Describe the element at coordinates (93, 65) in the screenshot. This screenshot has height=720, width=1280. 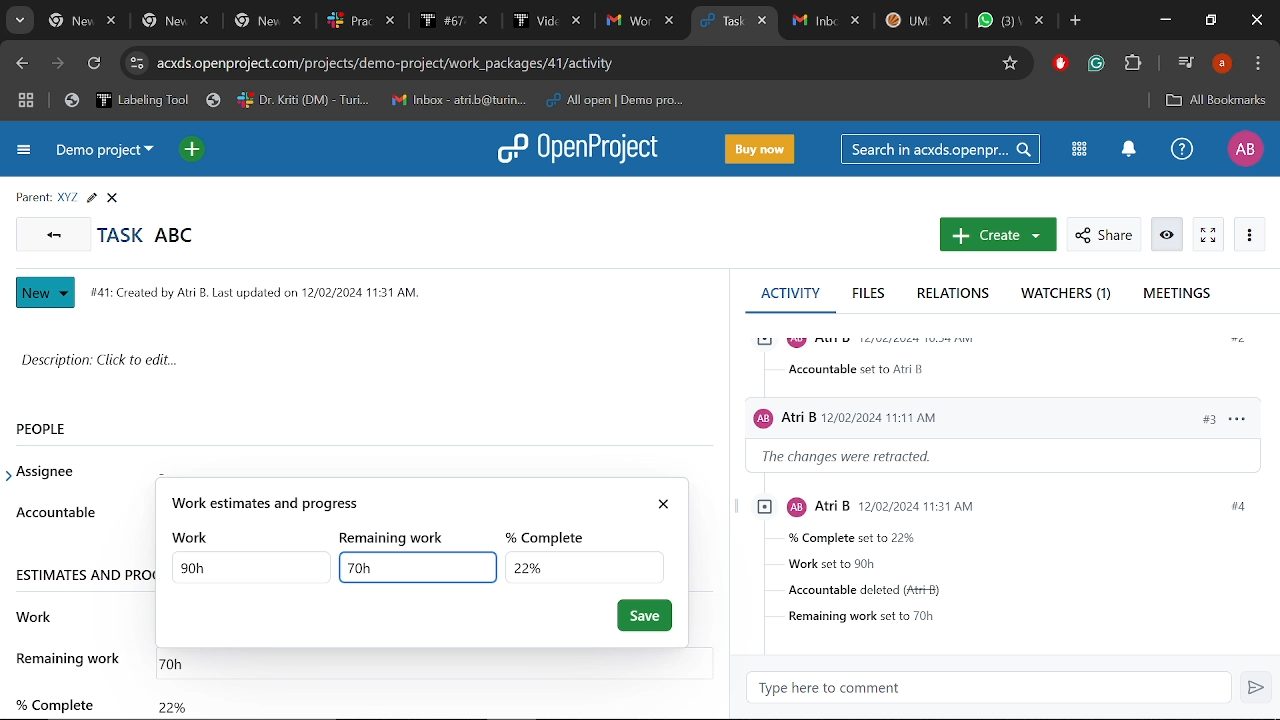
I see `Refresh` at that location.